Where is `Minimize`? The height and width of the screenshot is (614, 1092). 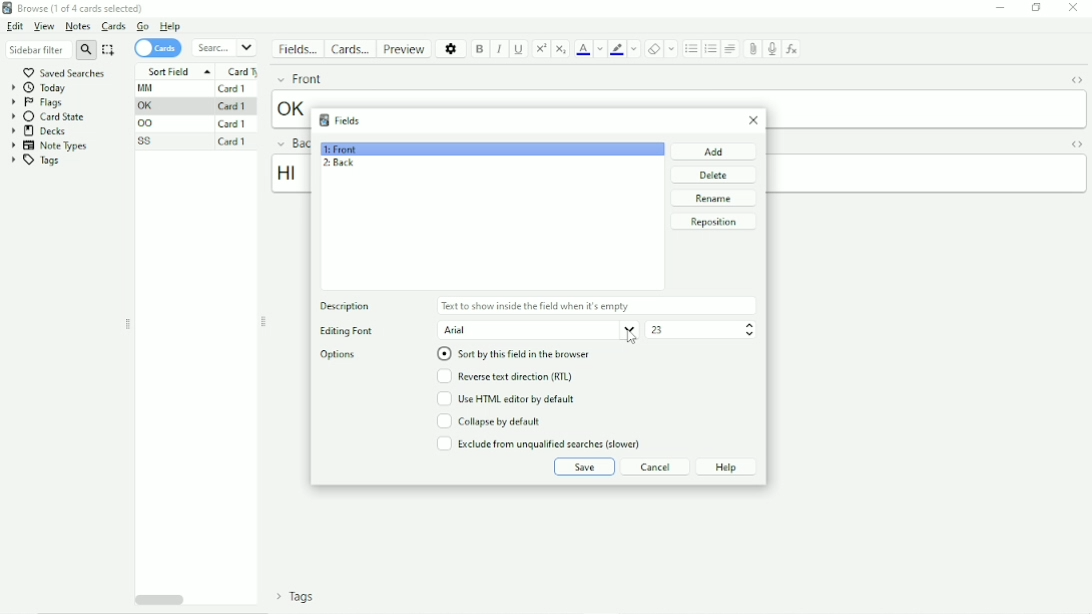 Minimize is located at coordinates (1001, 8).